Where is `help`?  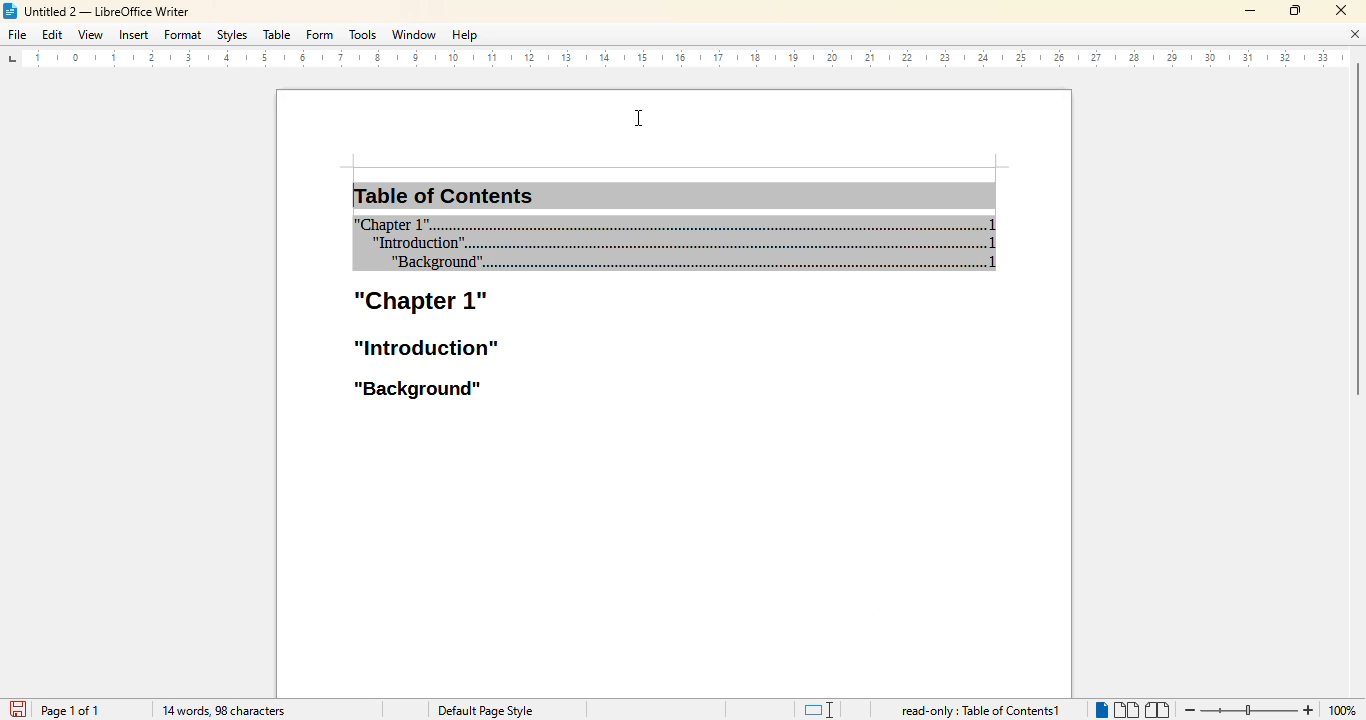
help is located at coordinates (464, 34).